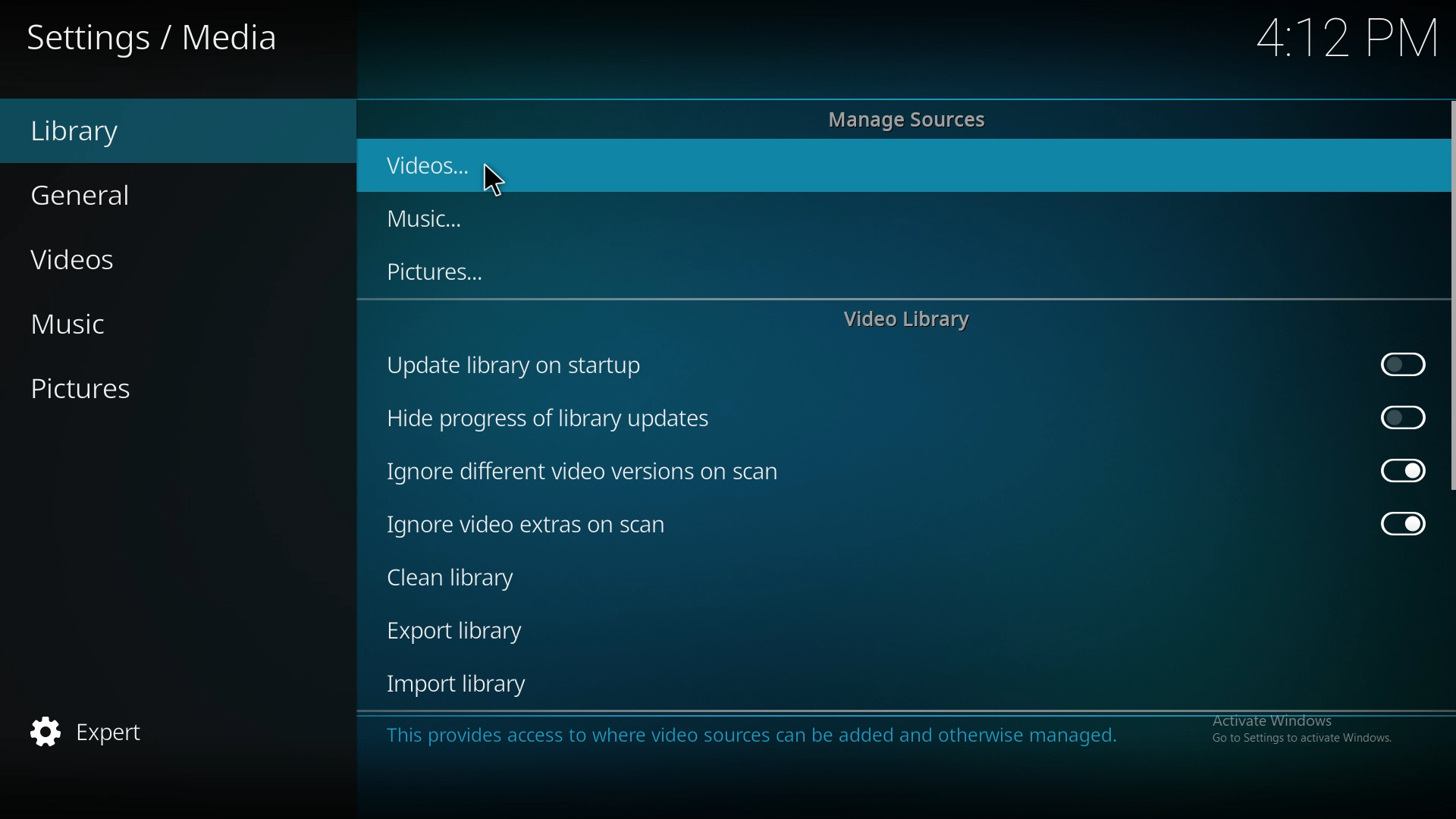 The image size is (1456, 819). What do you see at coordinates (108, 733) in the screenshot?
I see `expert` at bounding box center [108, 733].